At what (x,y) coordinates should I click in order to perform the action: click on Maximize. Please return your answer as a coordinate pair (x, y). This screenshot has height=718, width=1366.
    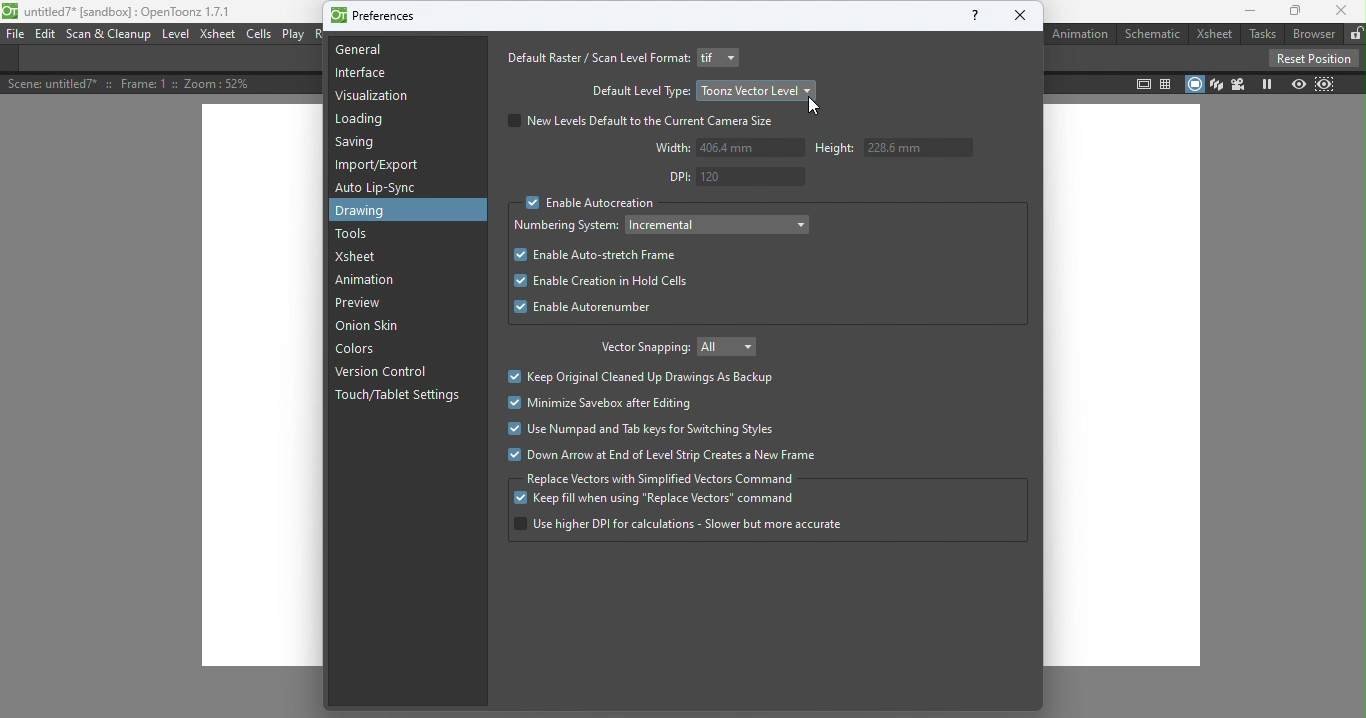
    Looking at the image, I should click on (1293, 11).